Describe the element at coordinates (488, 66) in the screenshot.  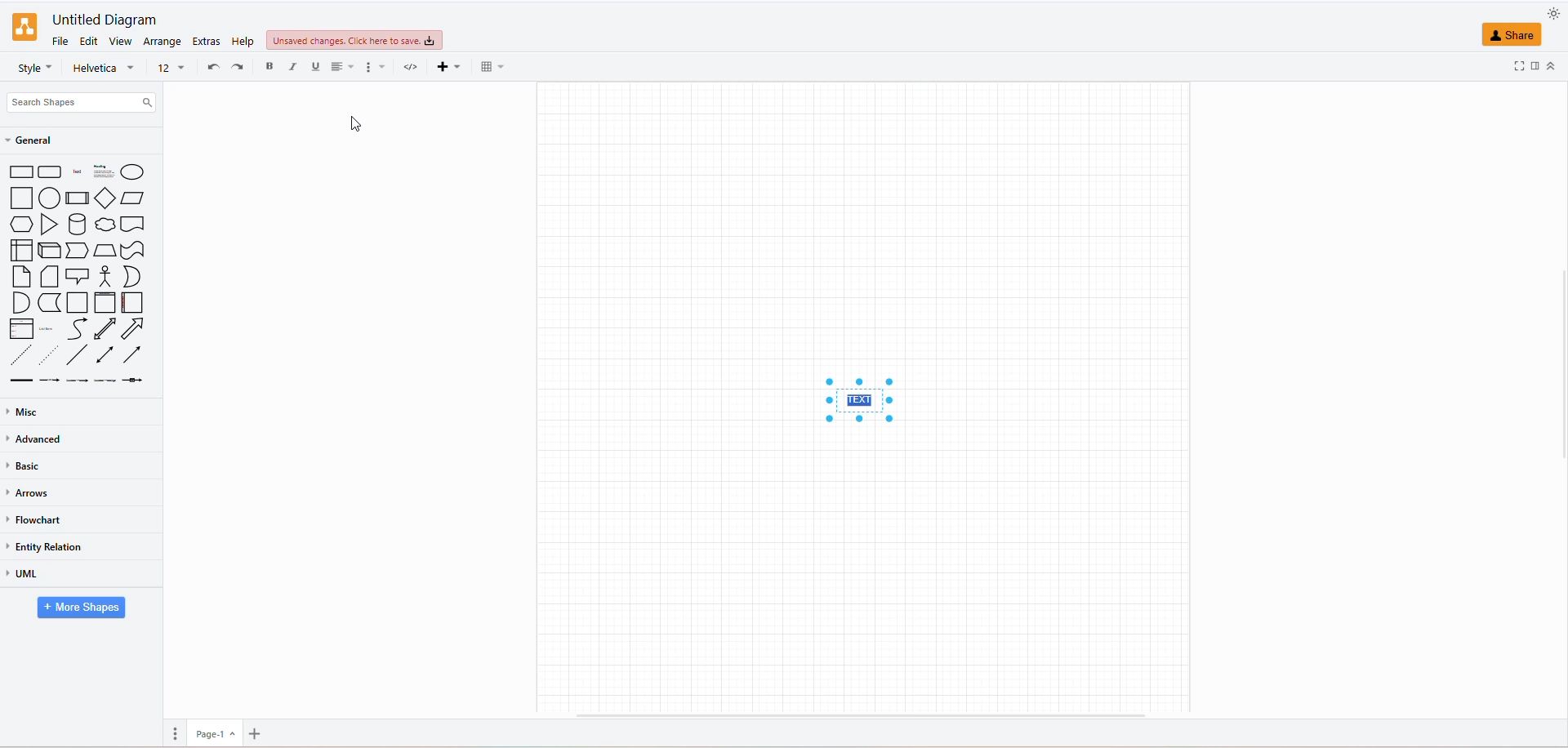
I see `table` at that location.